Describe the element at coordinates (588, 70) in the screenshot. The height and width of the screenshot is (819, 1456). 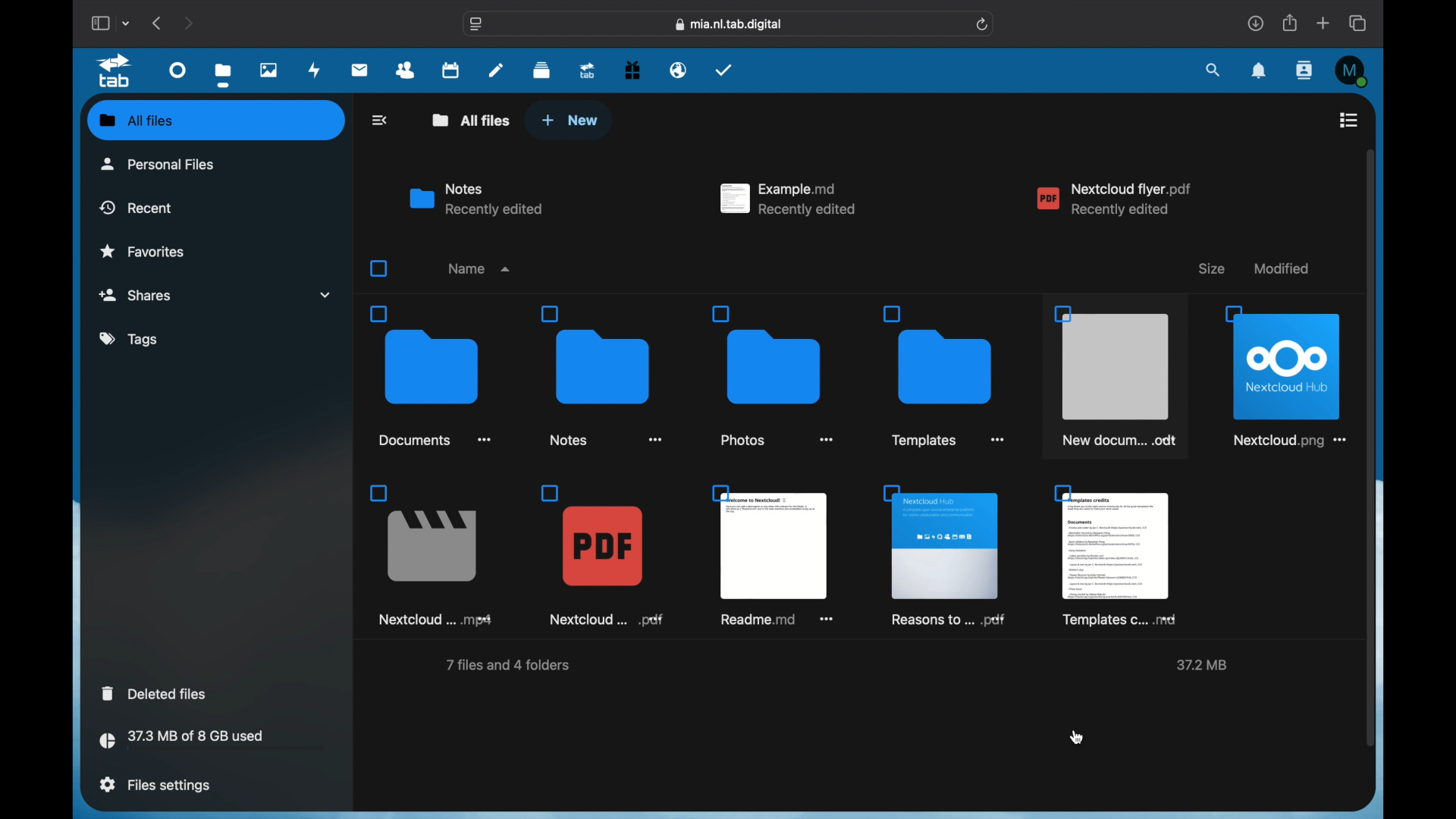
I see `upgrade` at that location.